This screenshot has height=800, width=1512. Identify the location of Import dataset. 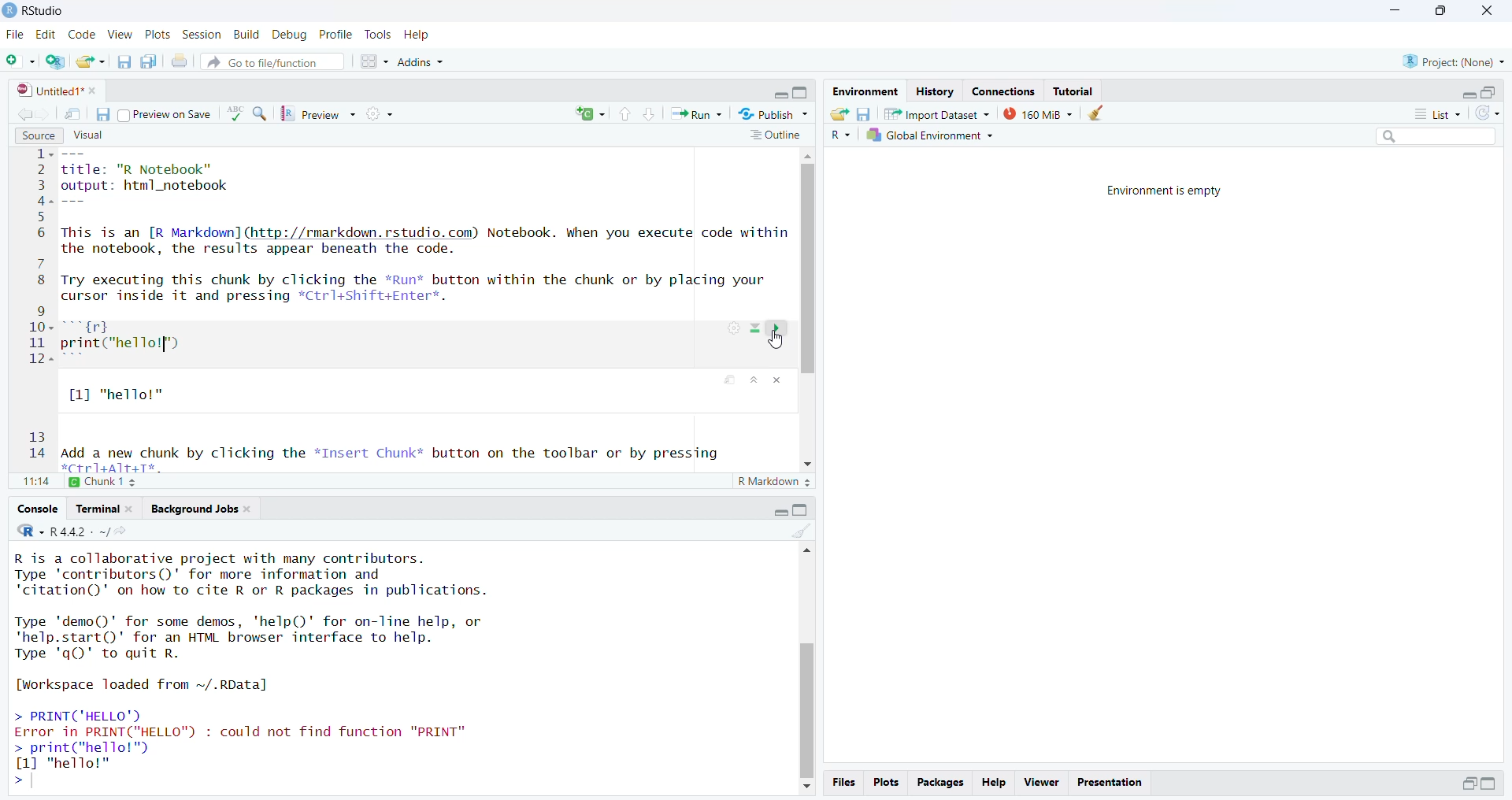
(936, 113).